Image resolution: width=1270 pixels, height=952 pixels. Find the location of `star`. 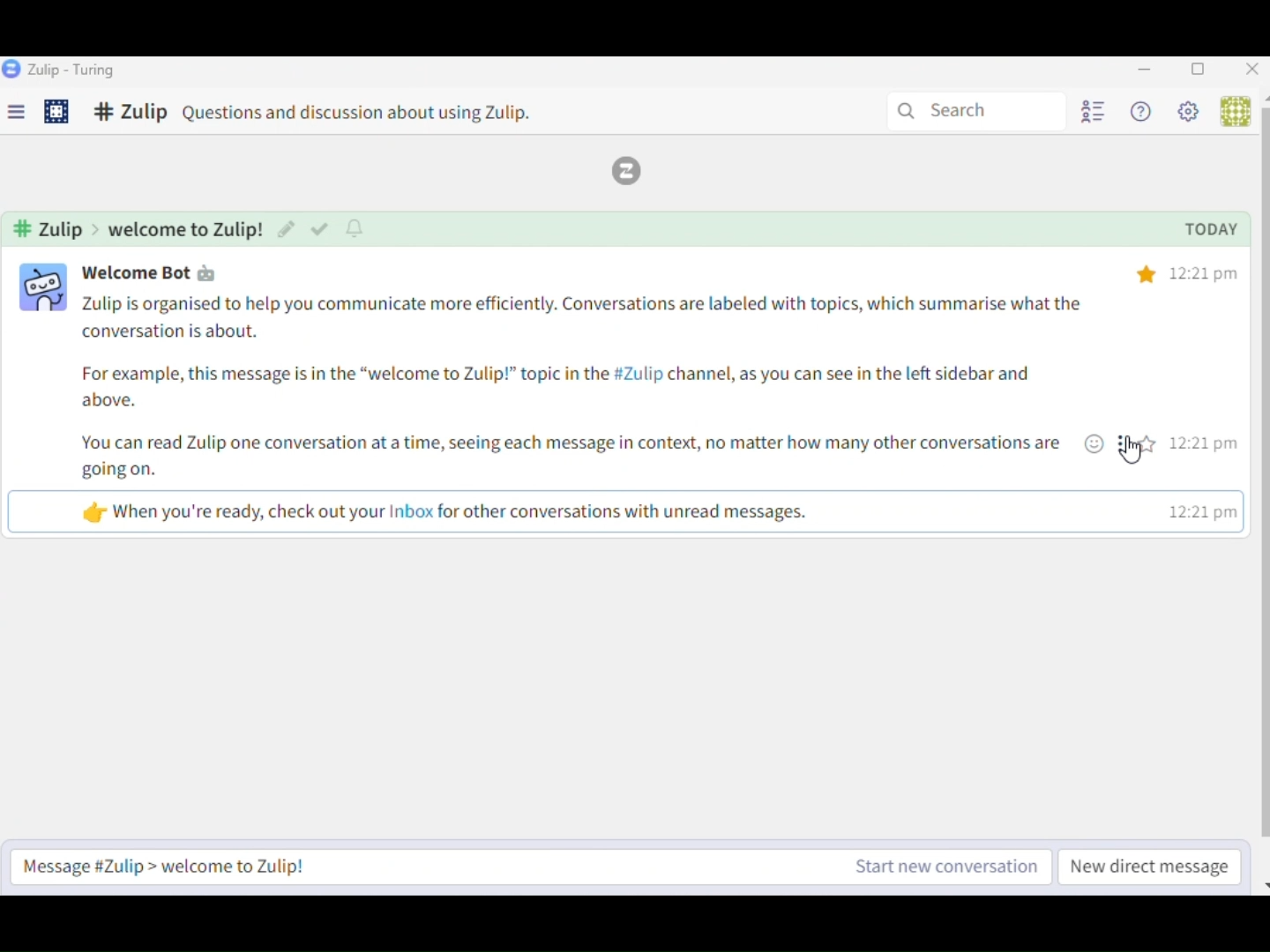

star is located at coordinates (1147, 271).